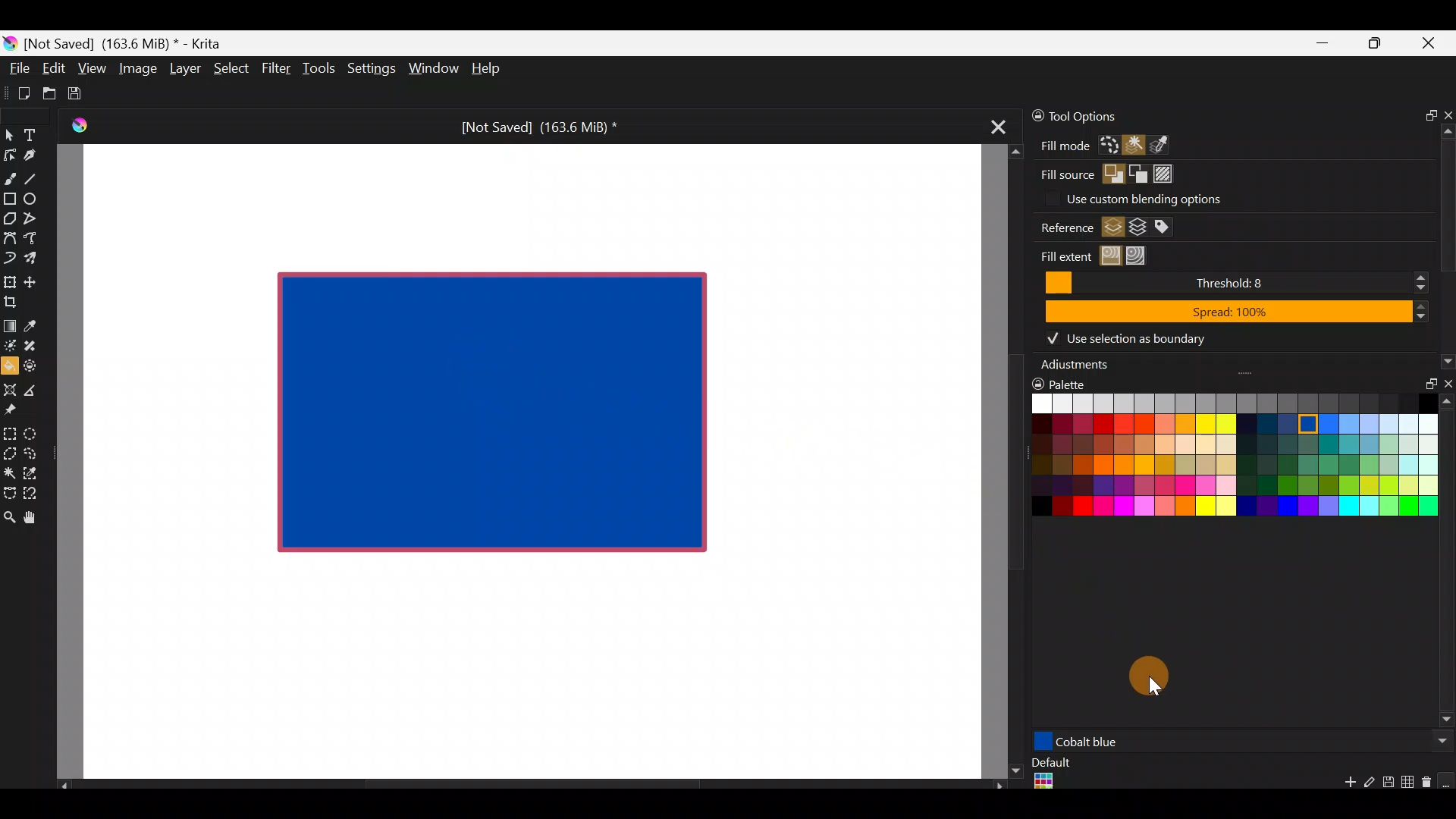  Describe the element at coordinates (11, 473) in the screenshot. I see `Contiguous selection tool` at that location.